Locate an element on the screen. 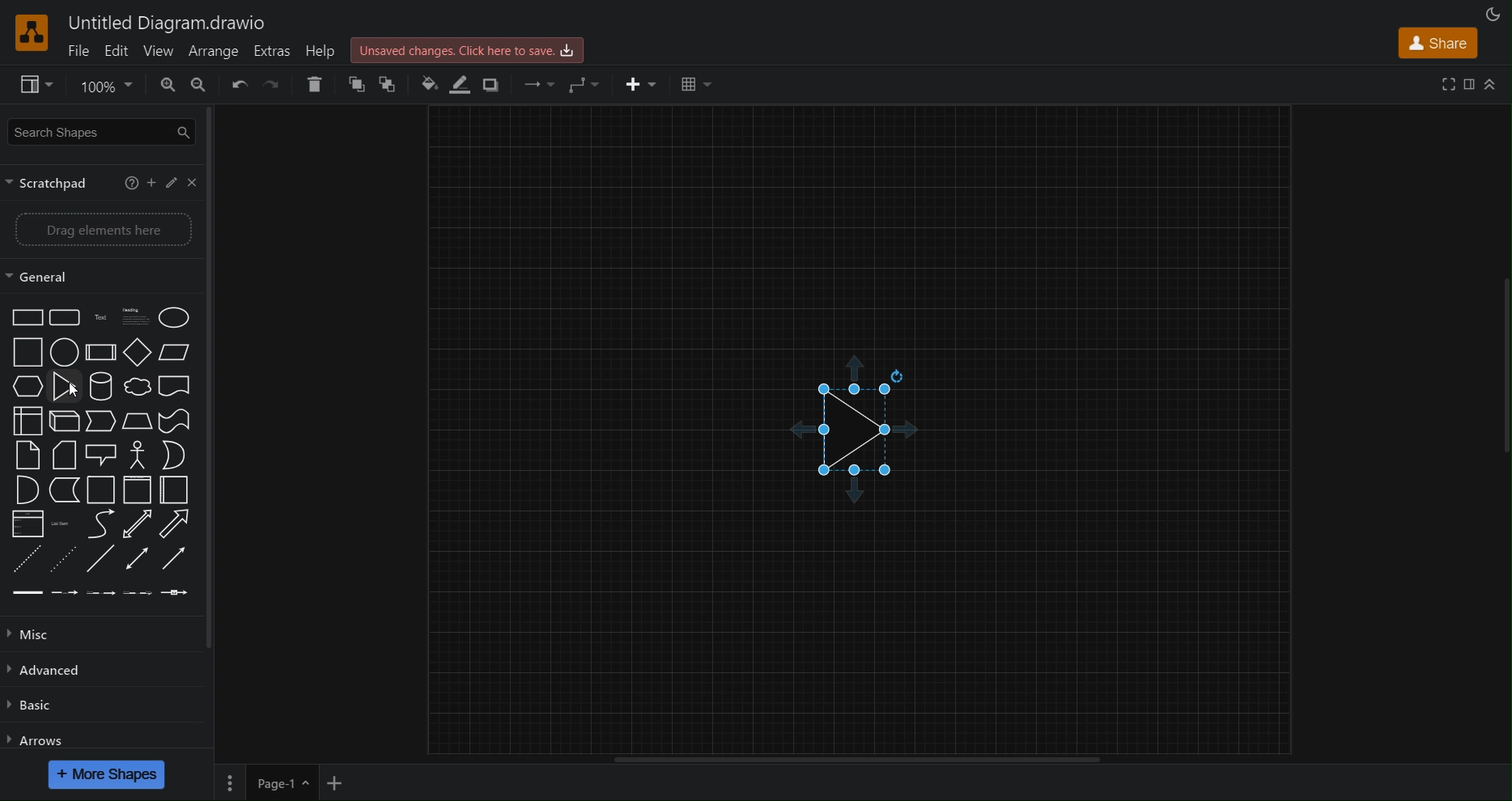 This screenshot has width=1512, height=801. Cursor is located at coordinates (73, 390).